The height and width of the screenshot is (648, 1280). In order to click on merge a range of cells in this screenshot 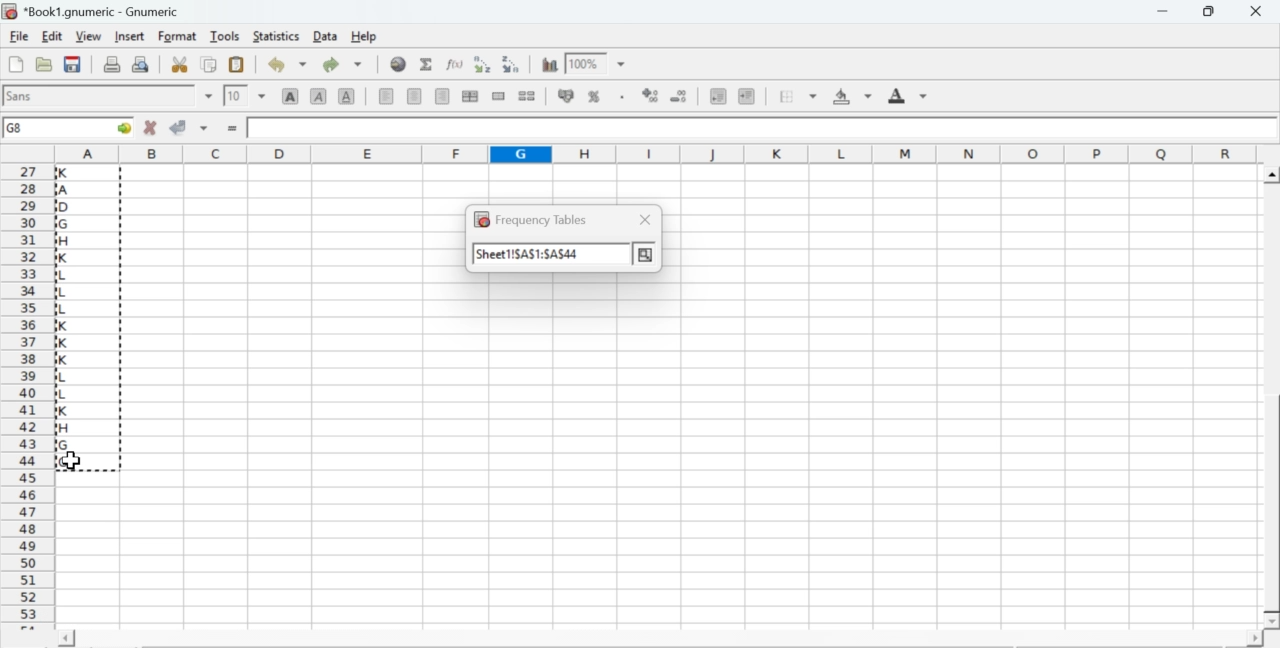, I will do `click(499, 96)`.